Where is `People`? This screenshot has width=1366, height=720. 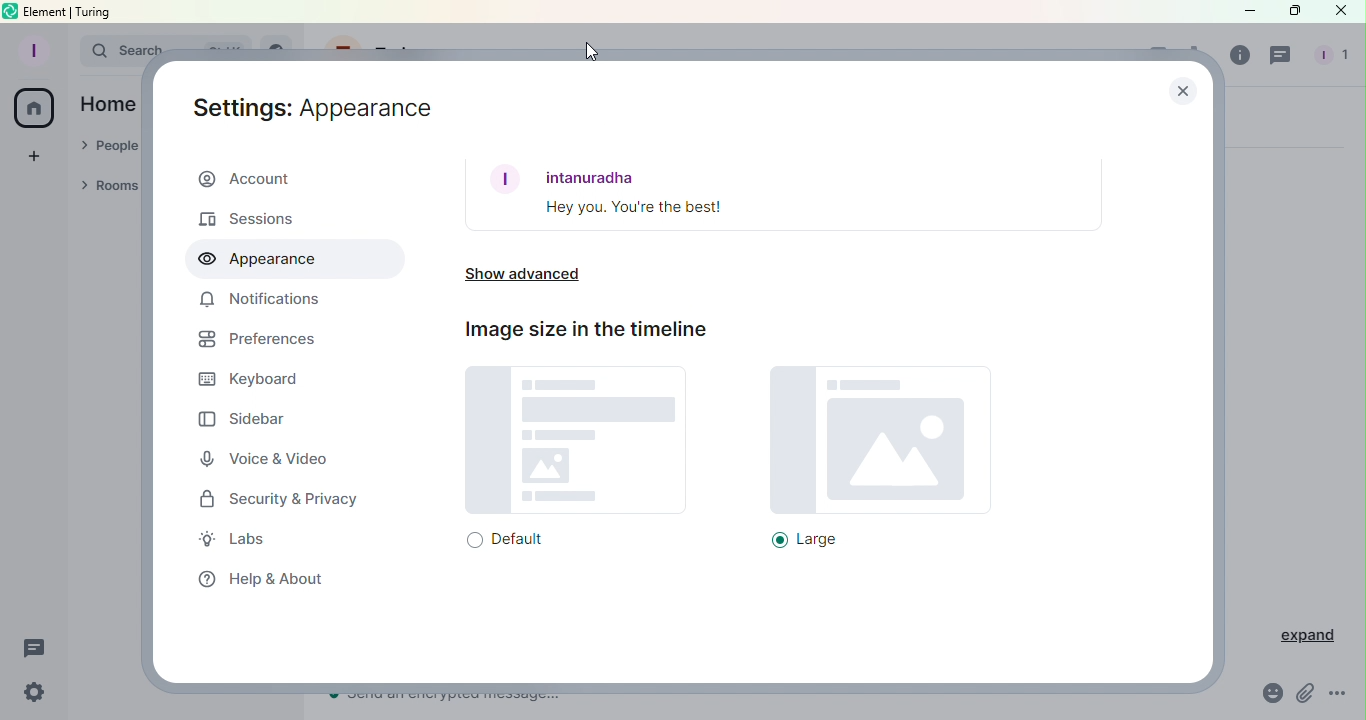
People is located at coordinates (1327, 58).